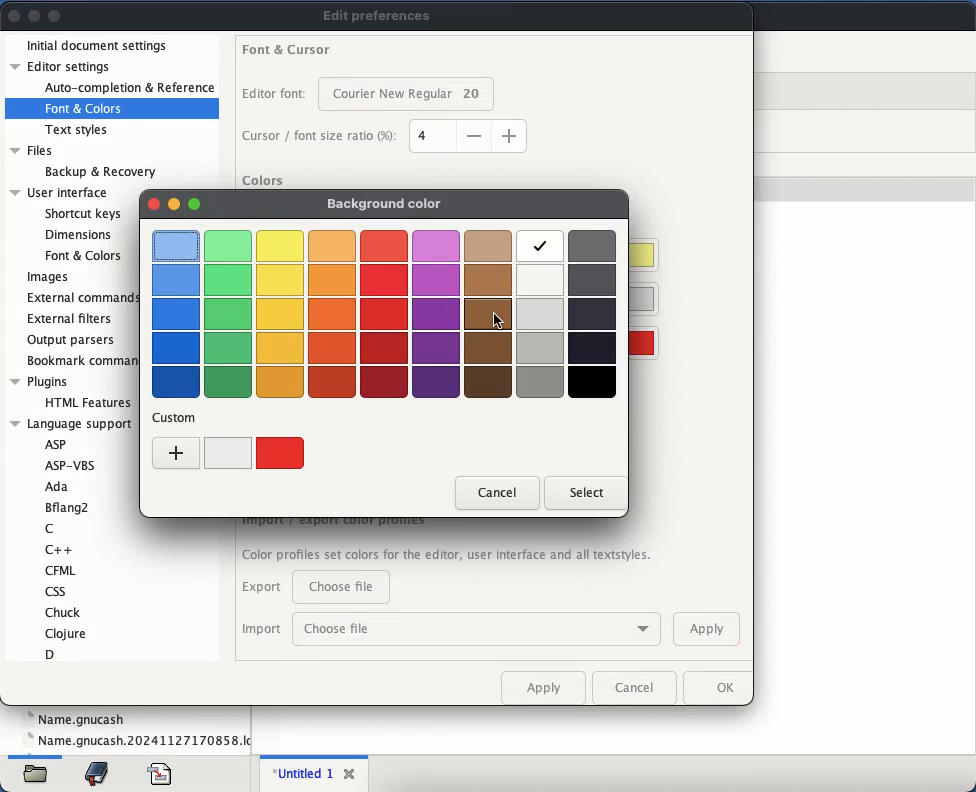 The image size is (976, 792). What do you see at coordinates (497, 492) in the screenshot?
I see `cancel` at bounding box center [497, 492].